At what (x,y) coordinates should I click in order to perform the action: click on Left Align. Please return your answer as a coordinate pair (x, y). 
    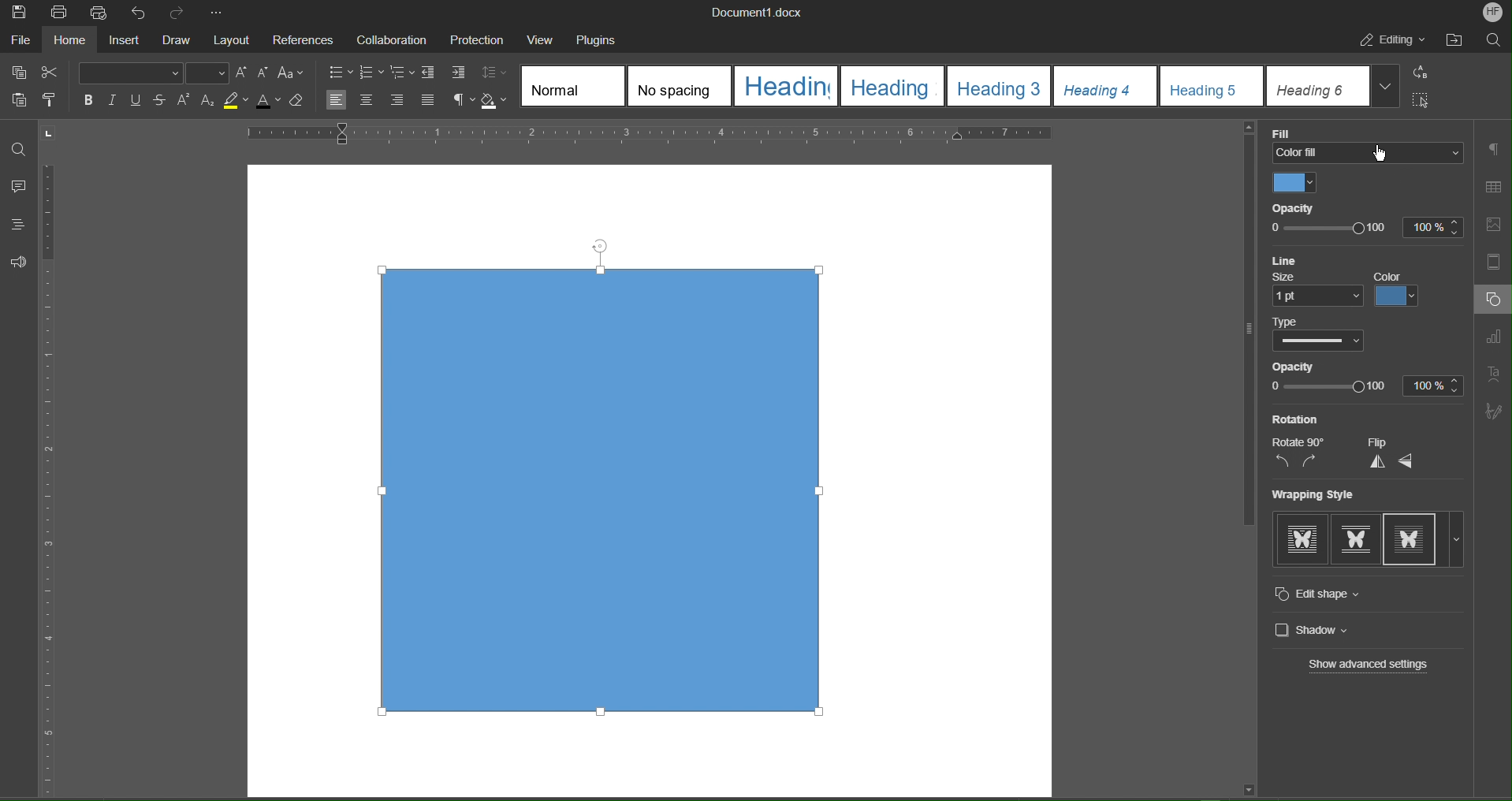
    Looking at the image, I should click on (338, 101).